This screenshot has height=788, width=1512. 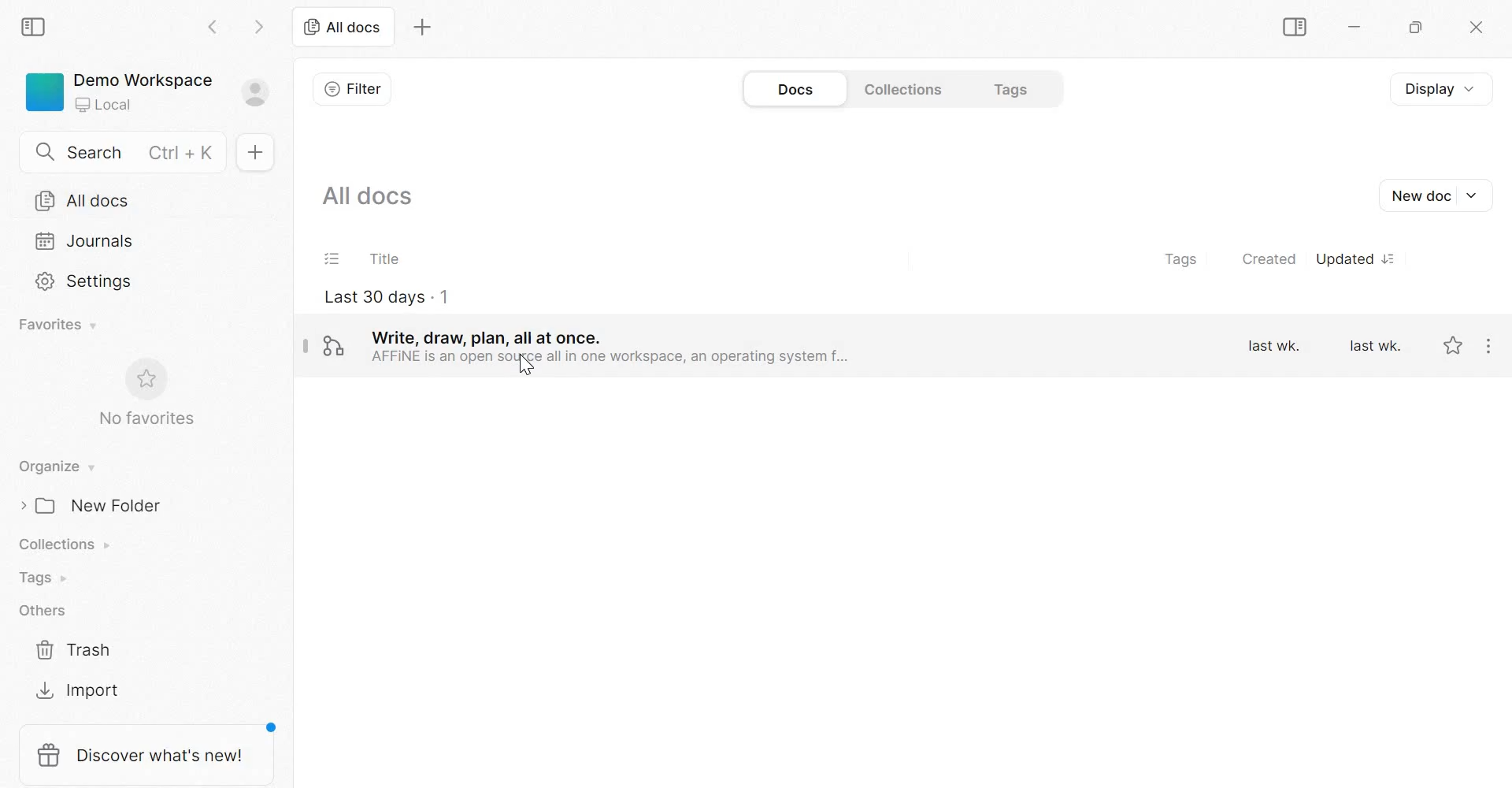 I want to click on kebab menu, so click(x=1490, y=344).